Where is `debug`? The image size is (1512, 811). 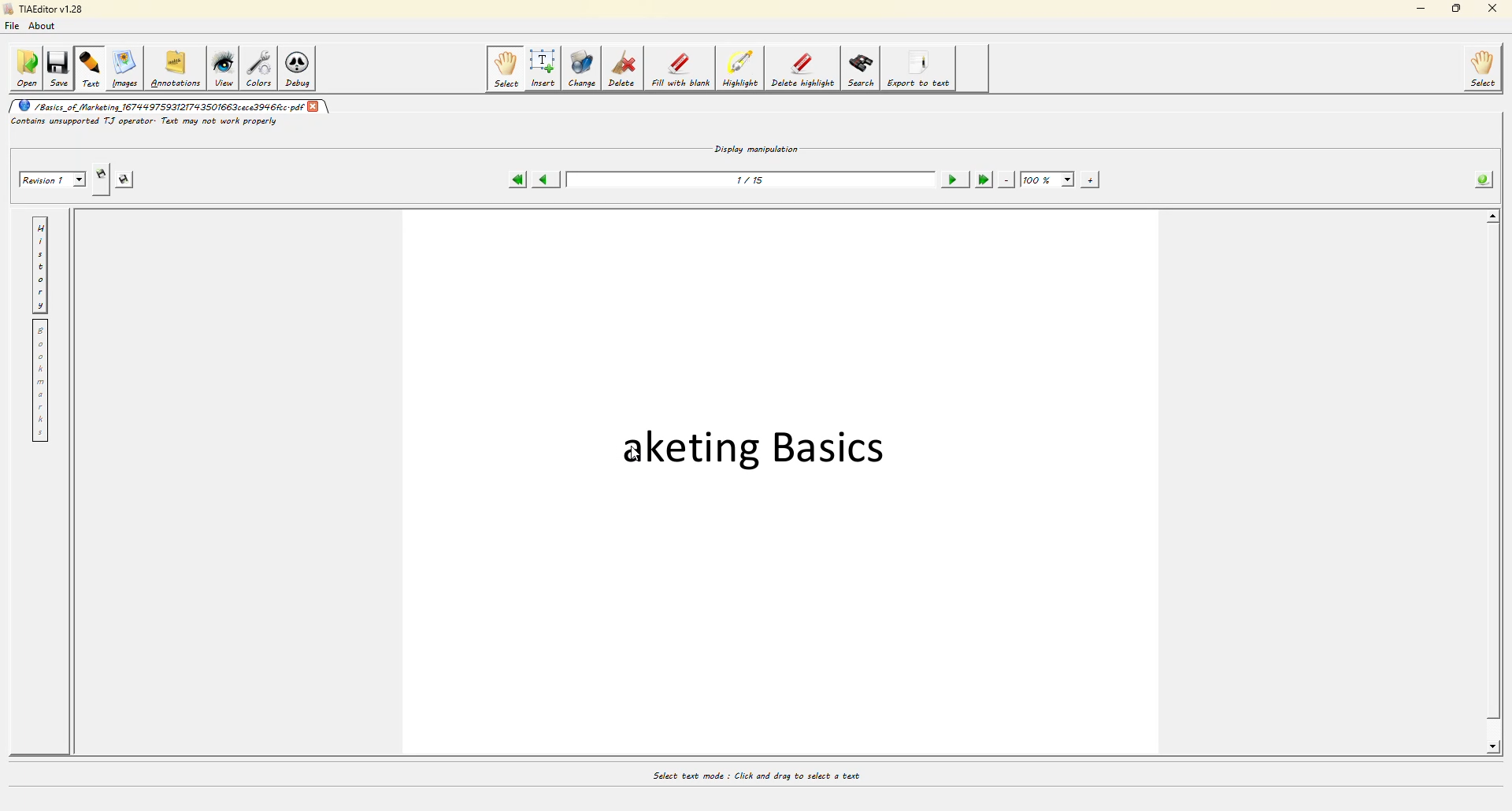
debug is located at coordinates (303, 69).